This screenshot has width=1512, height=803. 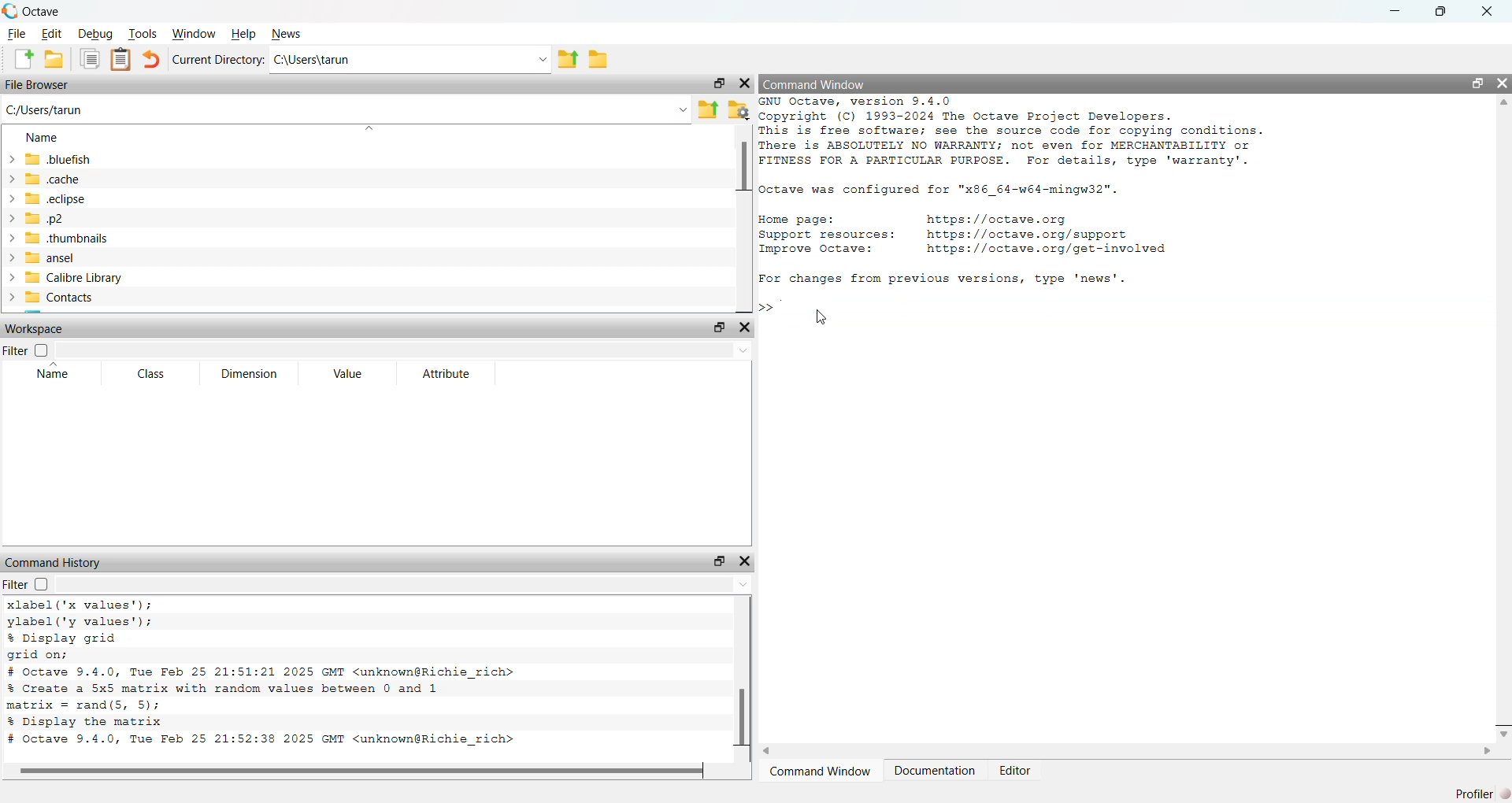 What do you see at coordinates (343, 373) in the screenshot?
I see `Value` at bounding box center [343, 373].